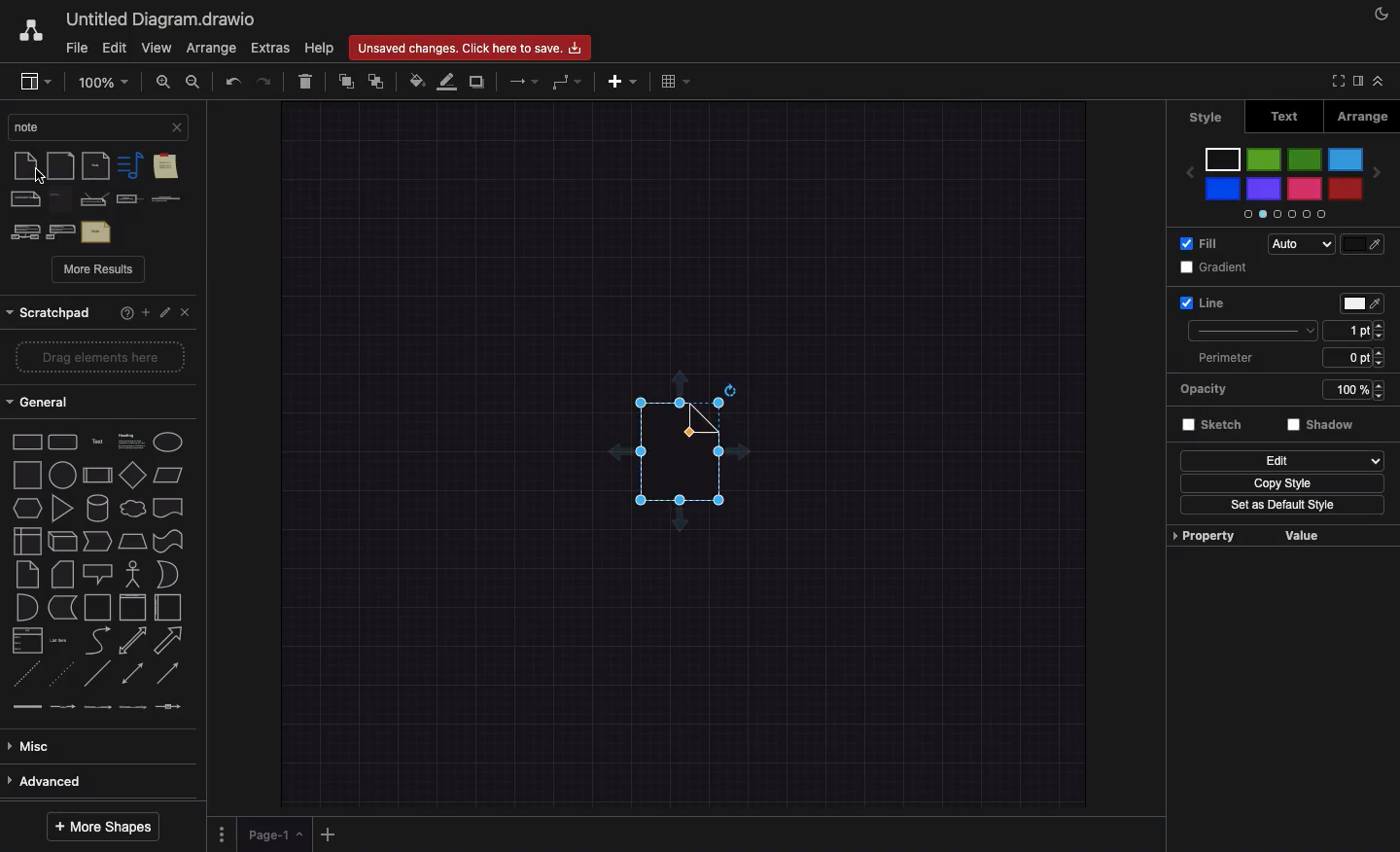 The height and width of the screenshot is (852, 1400). Describe the element at coordinates (1361, 83) in the screenshot. I see `Sidebar` at that location.